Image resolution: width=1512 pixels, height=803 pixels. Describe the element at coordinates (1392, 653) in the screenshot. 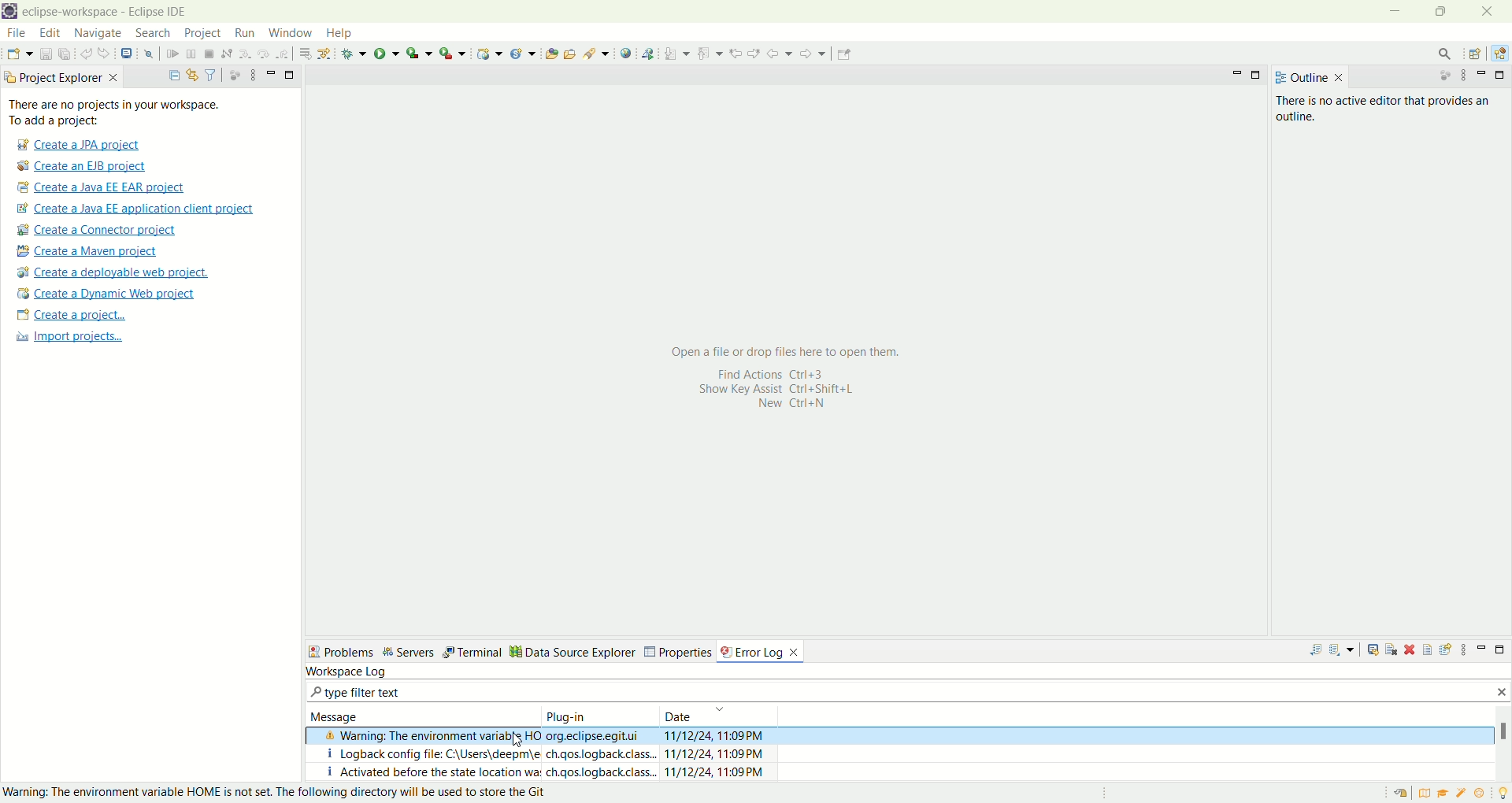

I see `clear log` at that location.